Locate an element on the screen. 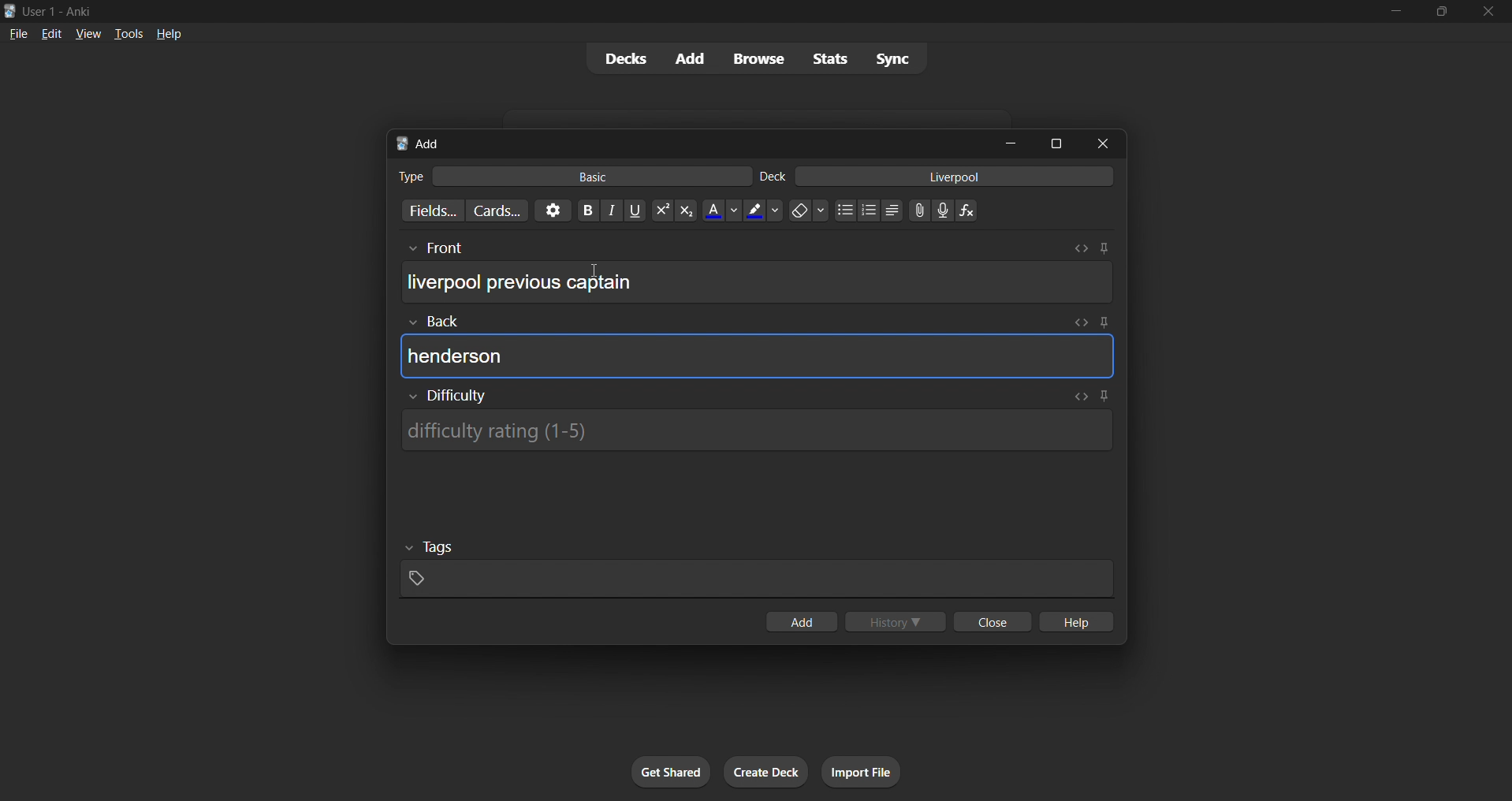  browse is located at coordinates (755, 58).